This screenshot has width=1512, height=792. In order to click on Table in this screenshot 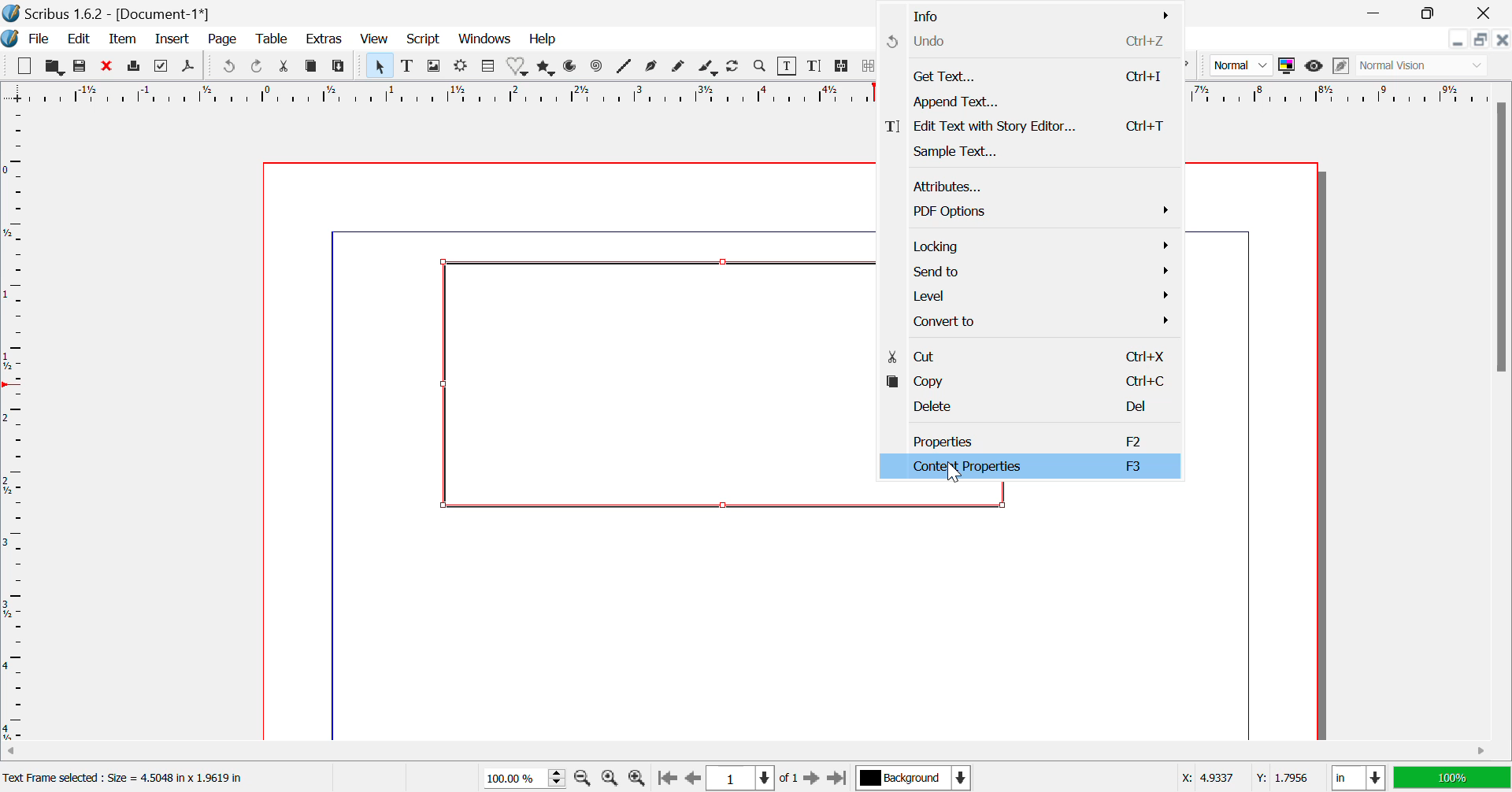, I will do `click(488, 67)`.